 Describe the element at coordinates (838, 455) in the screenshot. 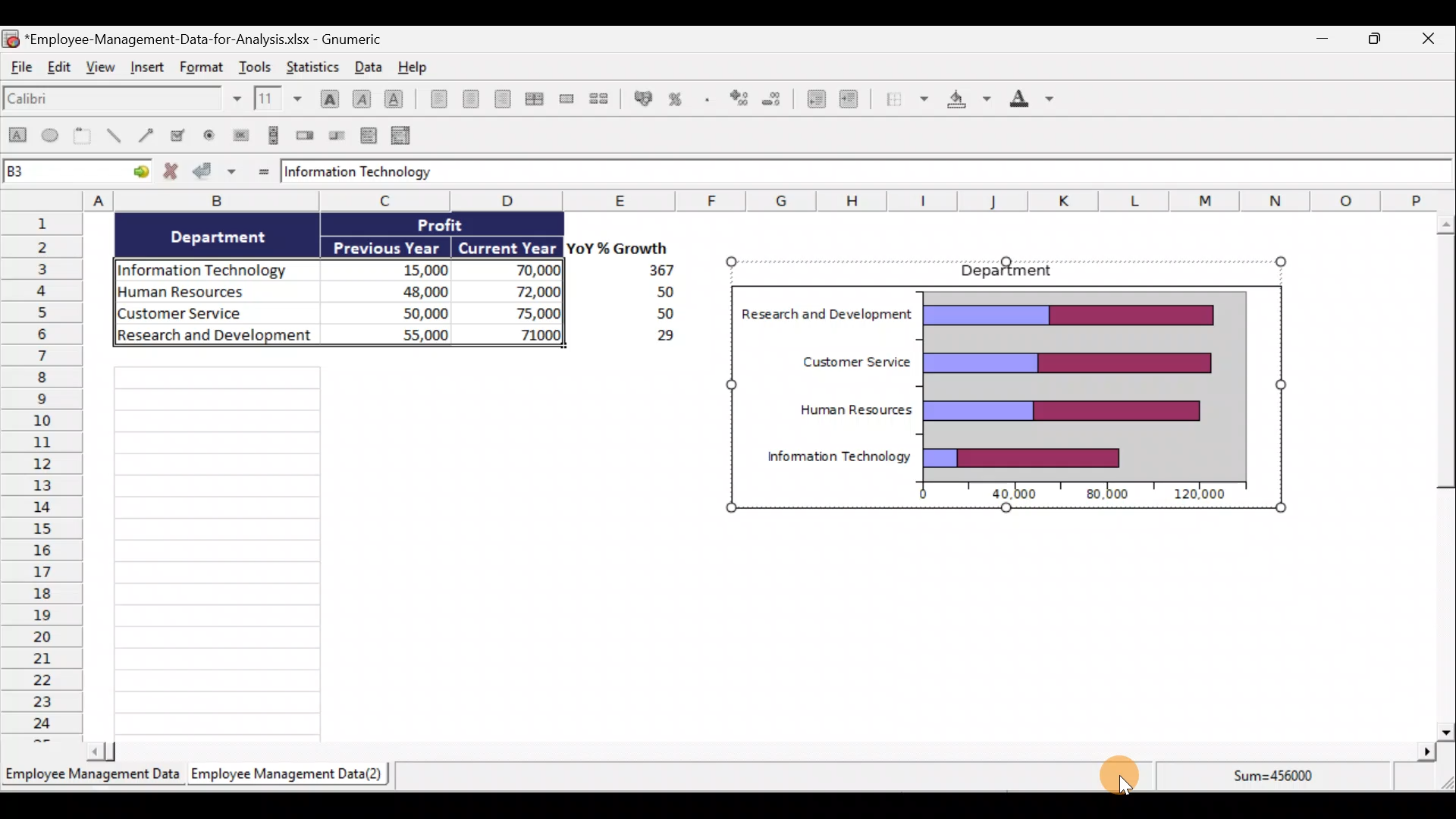

I see `Information Technology` at that location.